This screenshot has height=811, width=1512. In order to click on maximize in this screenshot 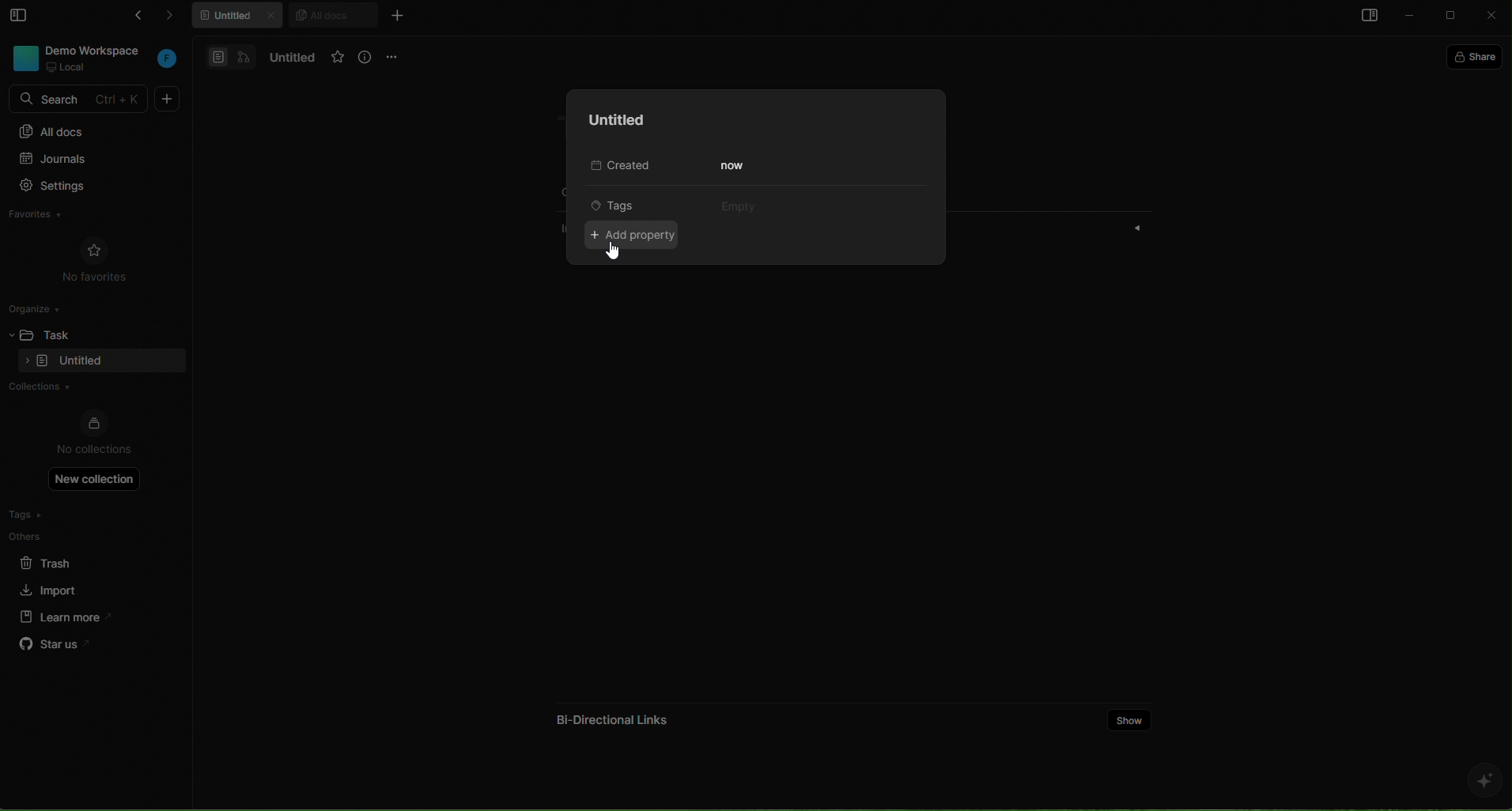, I will do `click(1453, 17)`.